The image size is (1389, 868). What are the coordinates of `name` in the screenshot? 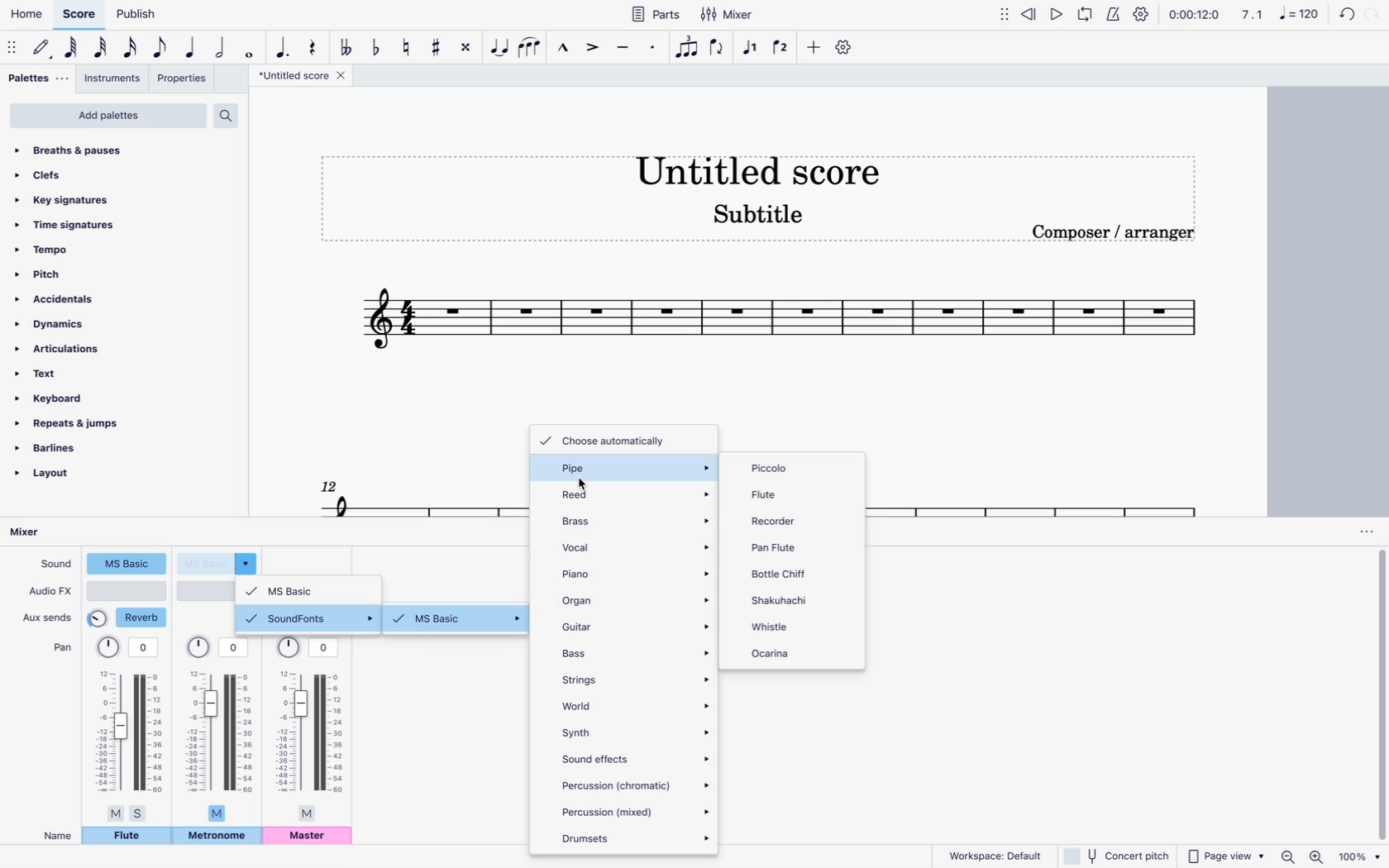 It's located at (52, 835).